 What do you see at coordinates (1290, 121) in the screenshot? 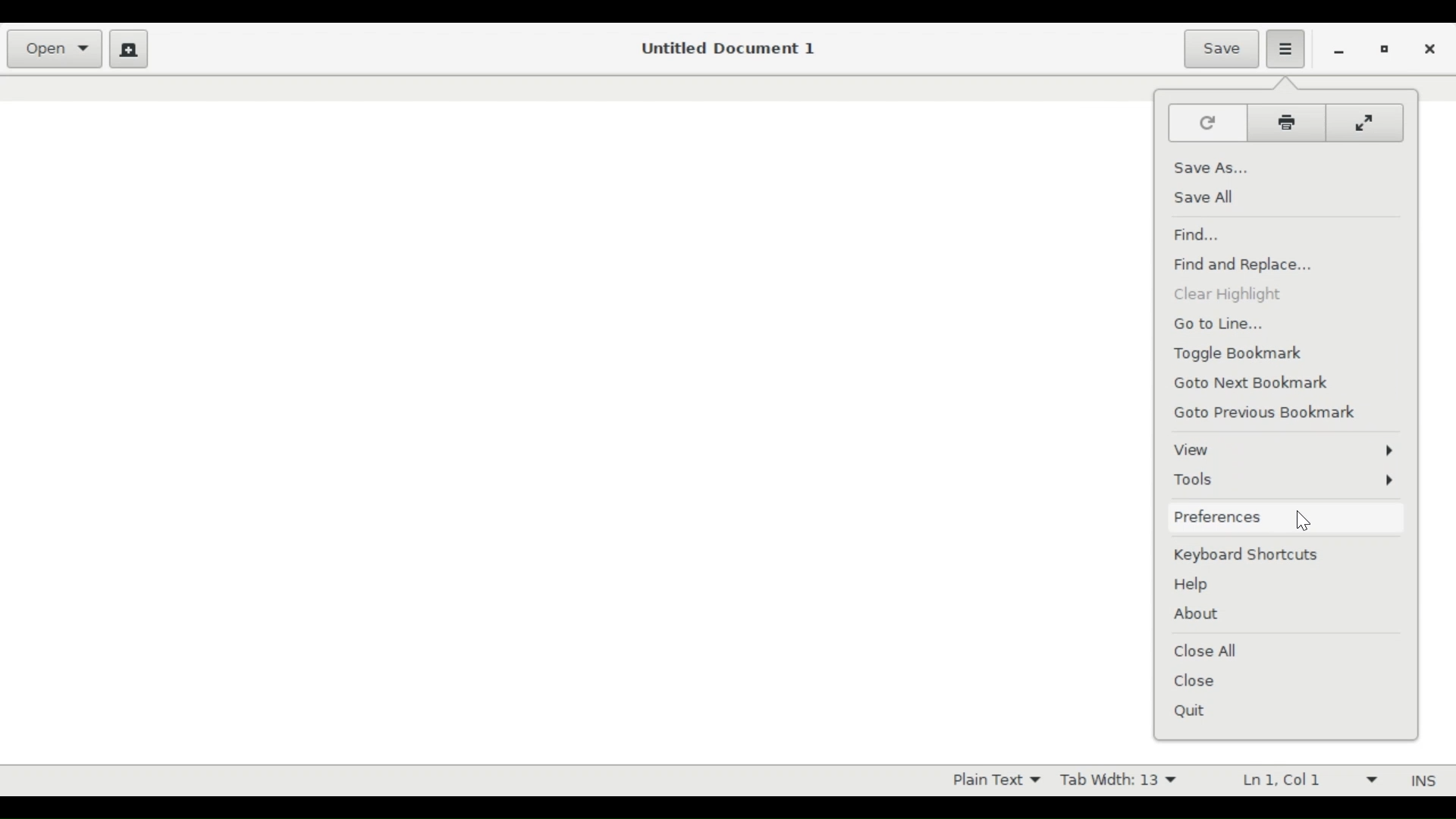
I see `Print` at bounding box center [1290, 121].